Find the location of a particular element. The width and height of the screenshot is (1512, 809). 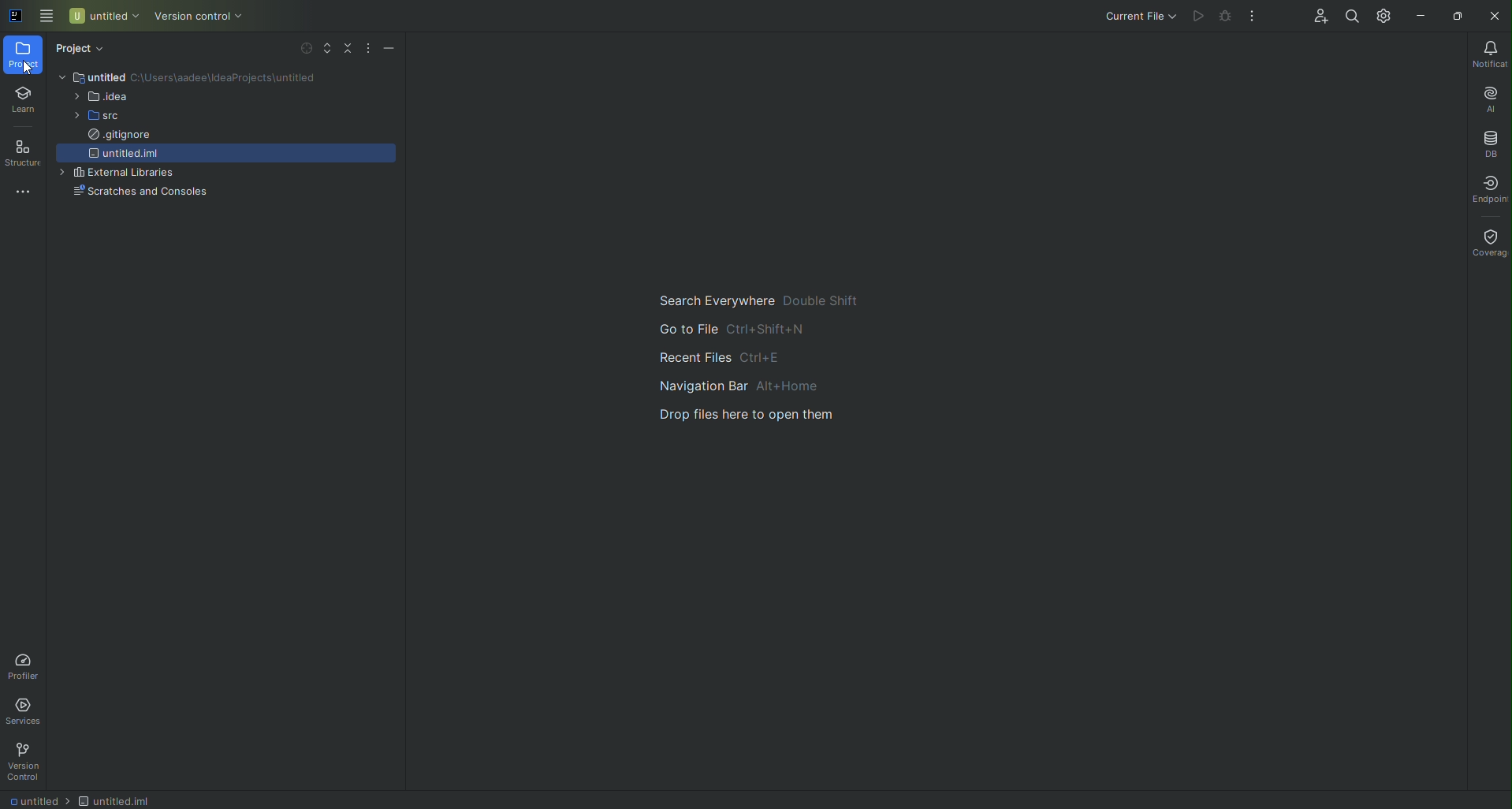

Structure is located at coordinates (21, 153).